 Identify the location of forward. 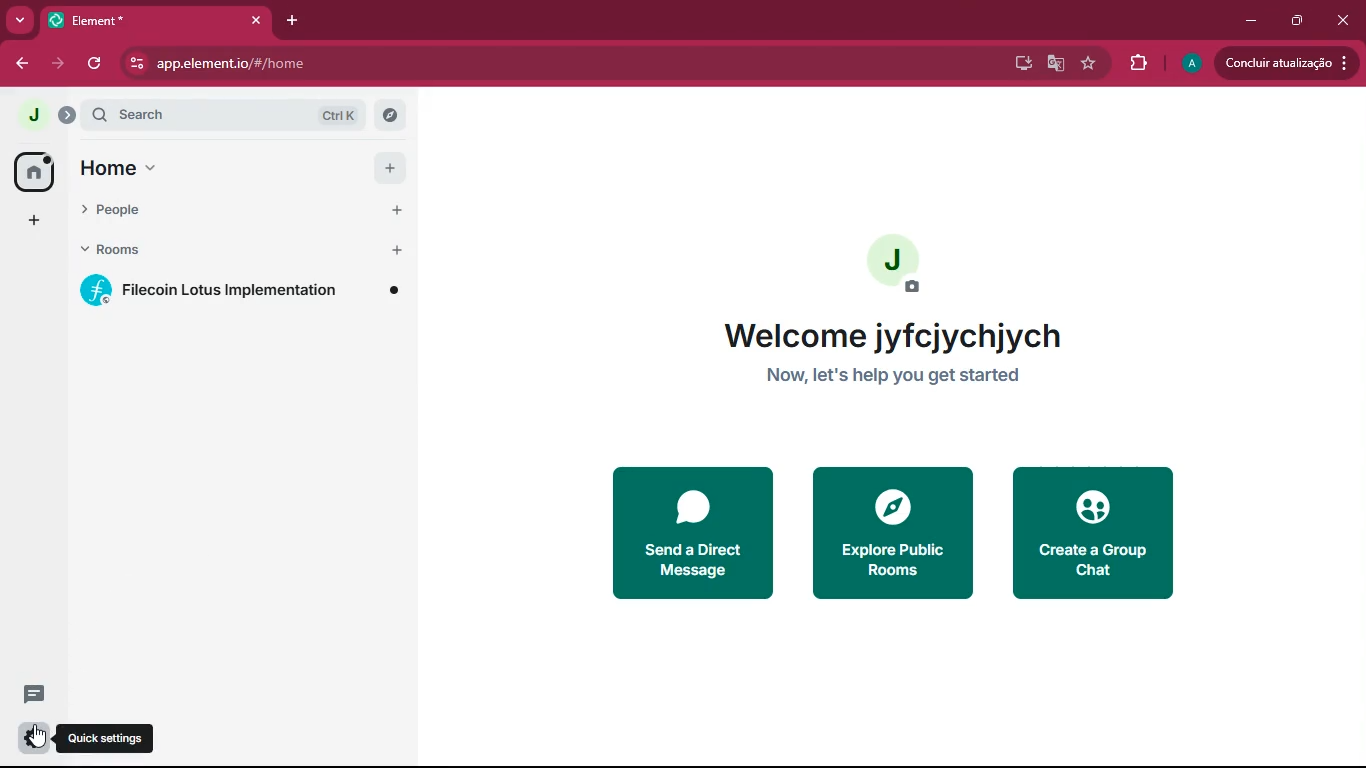
(56, 65).